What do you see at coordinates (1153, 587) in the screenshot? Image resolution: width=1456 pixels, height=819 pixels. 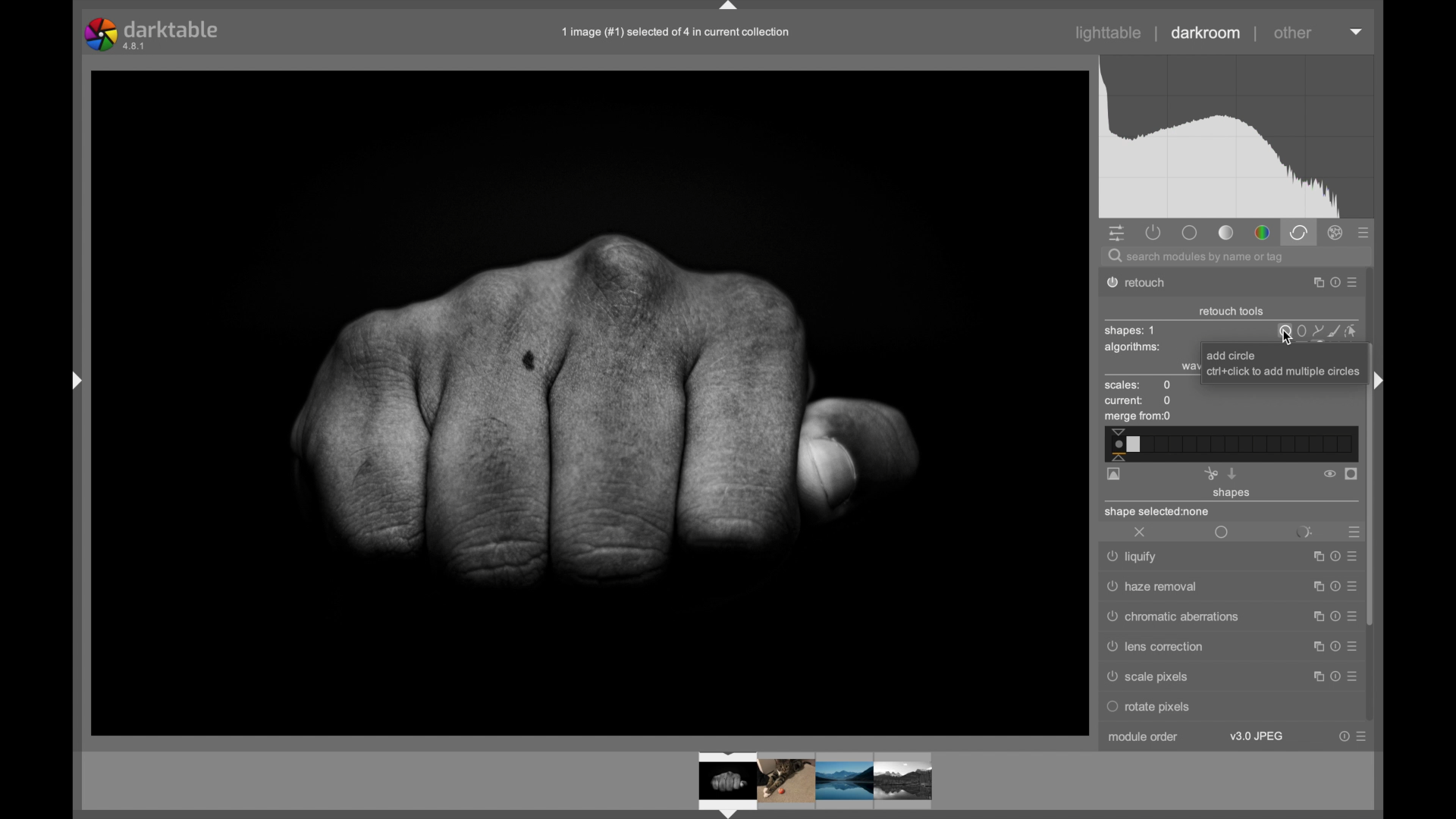 I see `haze removal` at bounding box center [1153, 587].